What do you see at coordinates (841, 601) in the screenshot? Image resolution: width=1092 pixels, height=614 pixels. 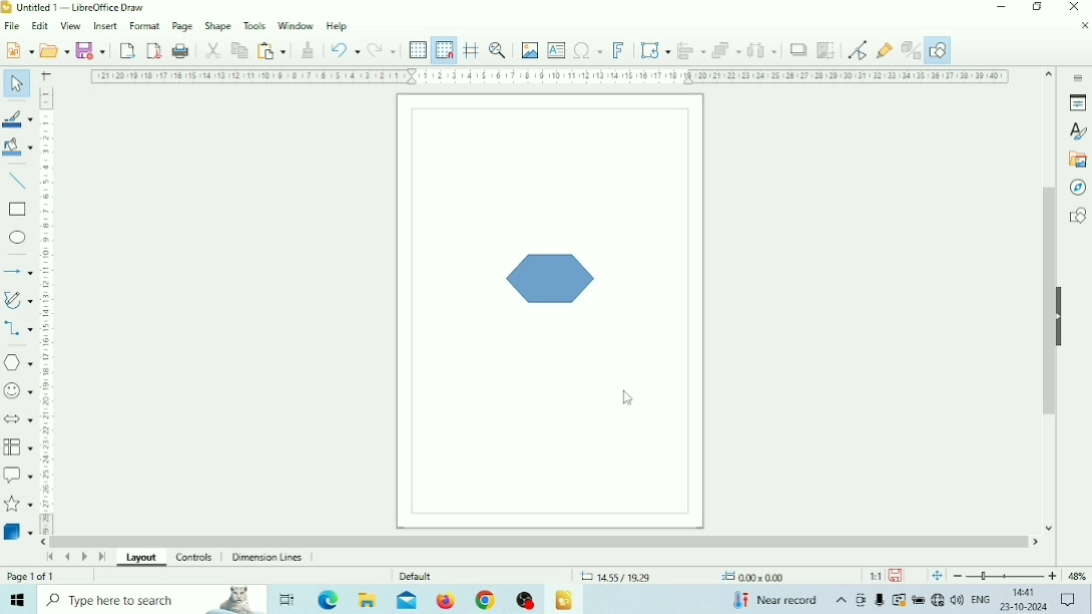 I see `Show hidden icons` at bounding box center [841, 601].